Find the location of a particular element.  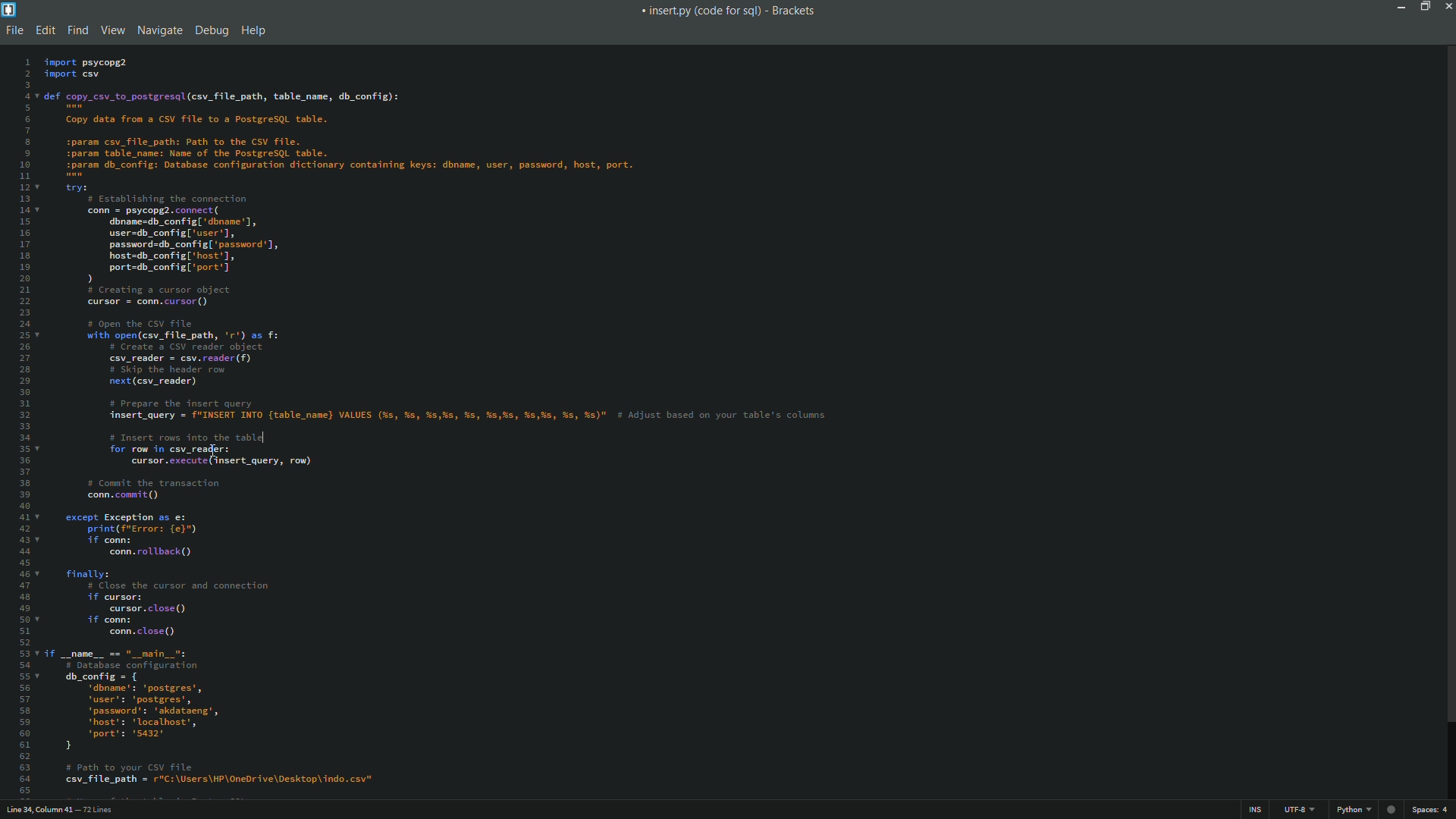

file format is located at coordinates (1357, 810).